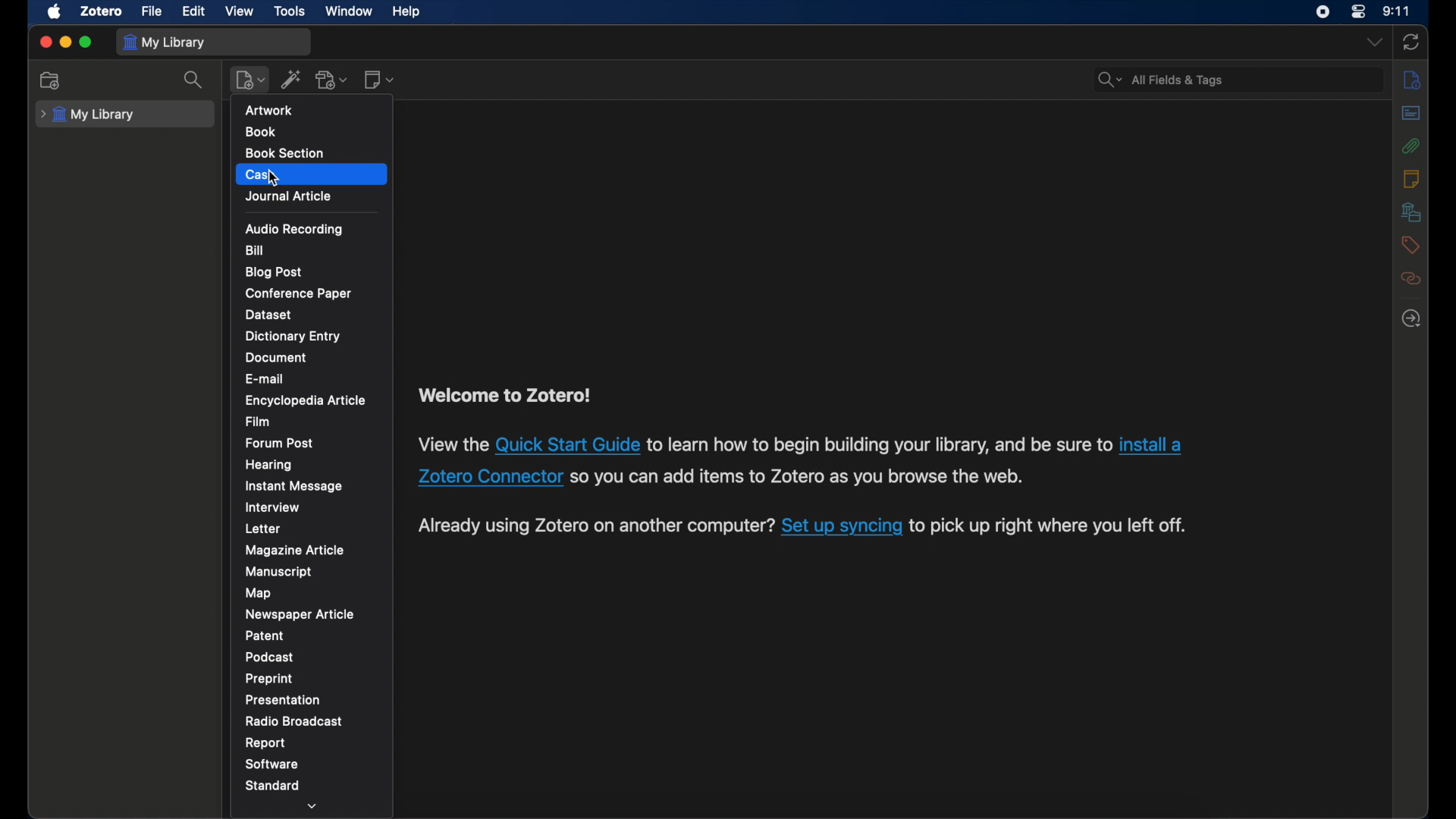 Image resolution: width=1456 pixels, height=819 pixels. I want to click on film, so click(258, 422).